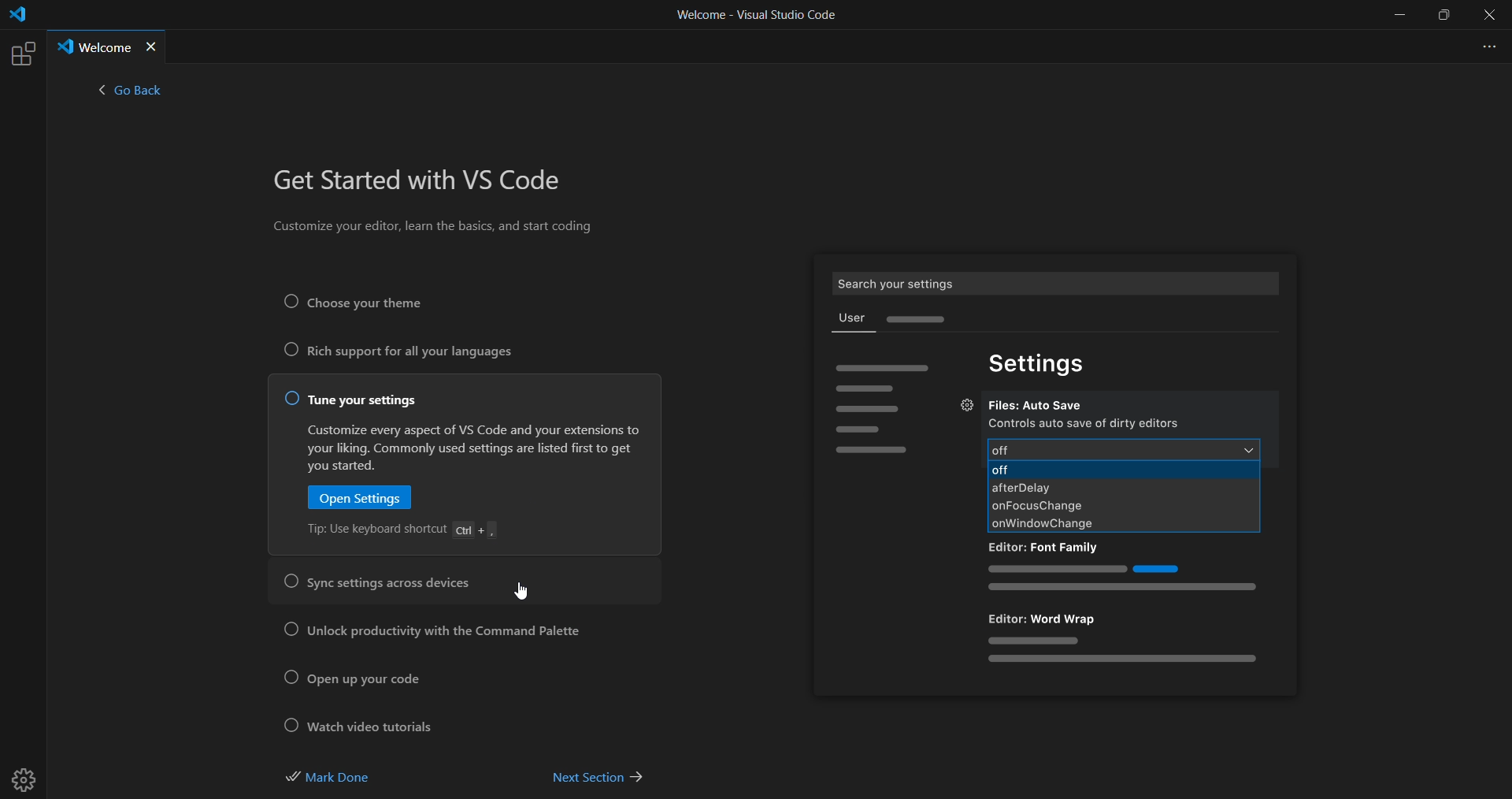 The image size is (1512, 799). I want to click on settings, so click(1039, 364).